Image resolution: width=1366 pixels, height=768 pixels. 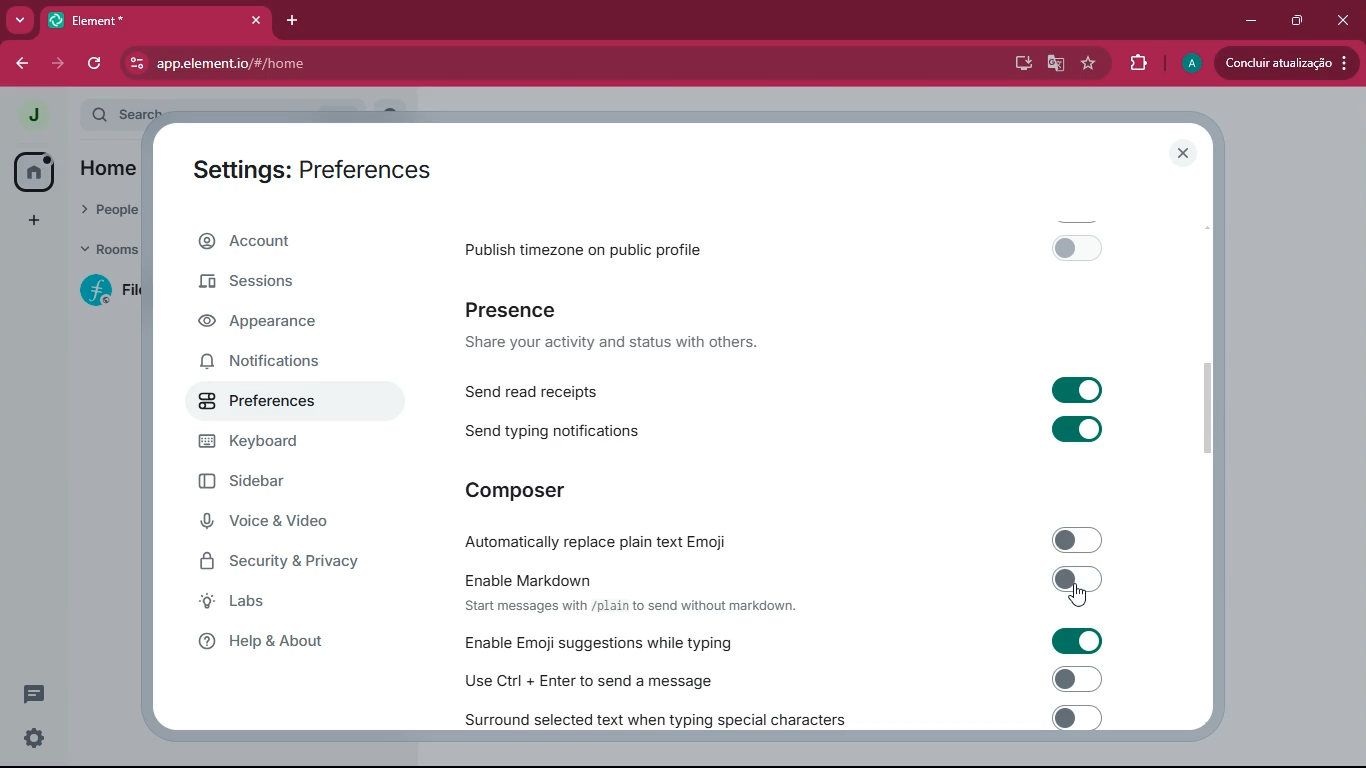 I want to click on cursor, so click(x=1078, y=597).